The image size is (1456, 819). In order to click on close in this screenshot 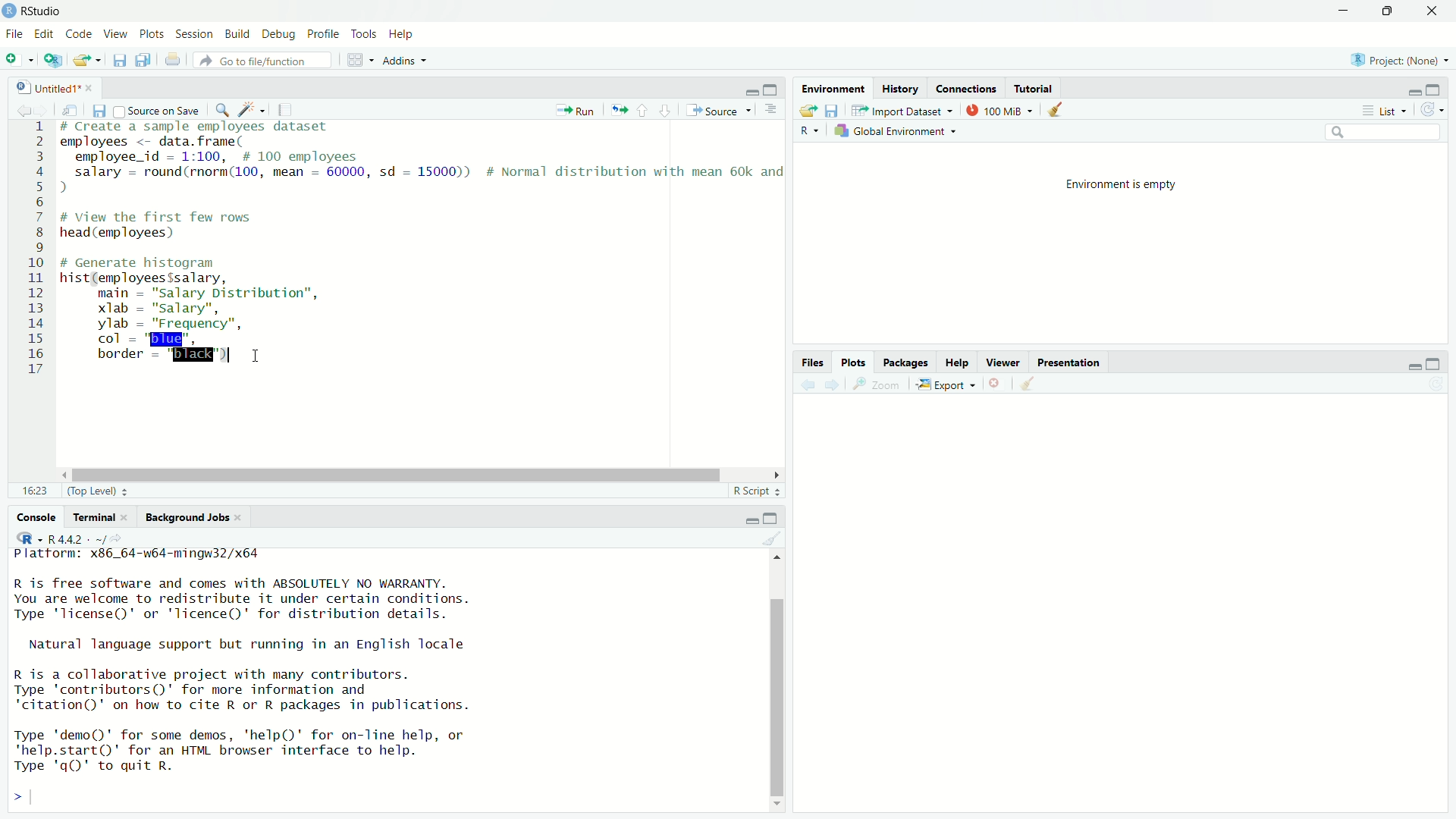, I will do `click(90, 88)`.